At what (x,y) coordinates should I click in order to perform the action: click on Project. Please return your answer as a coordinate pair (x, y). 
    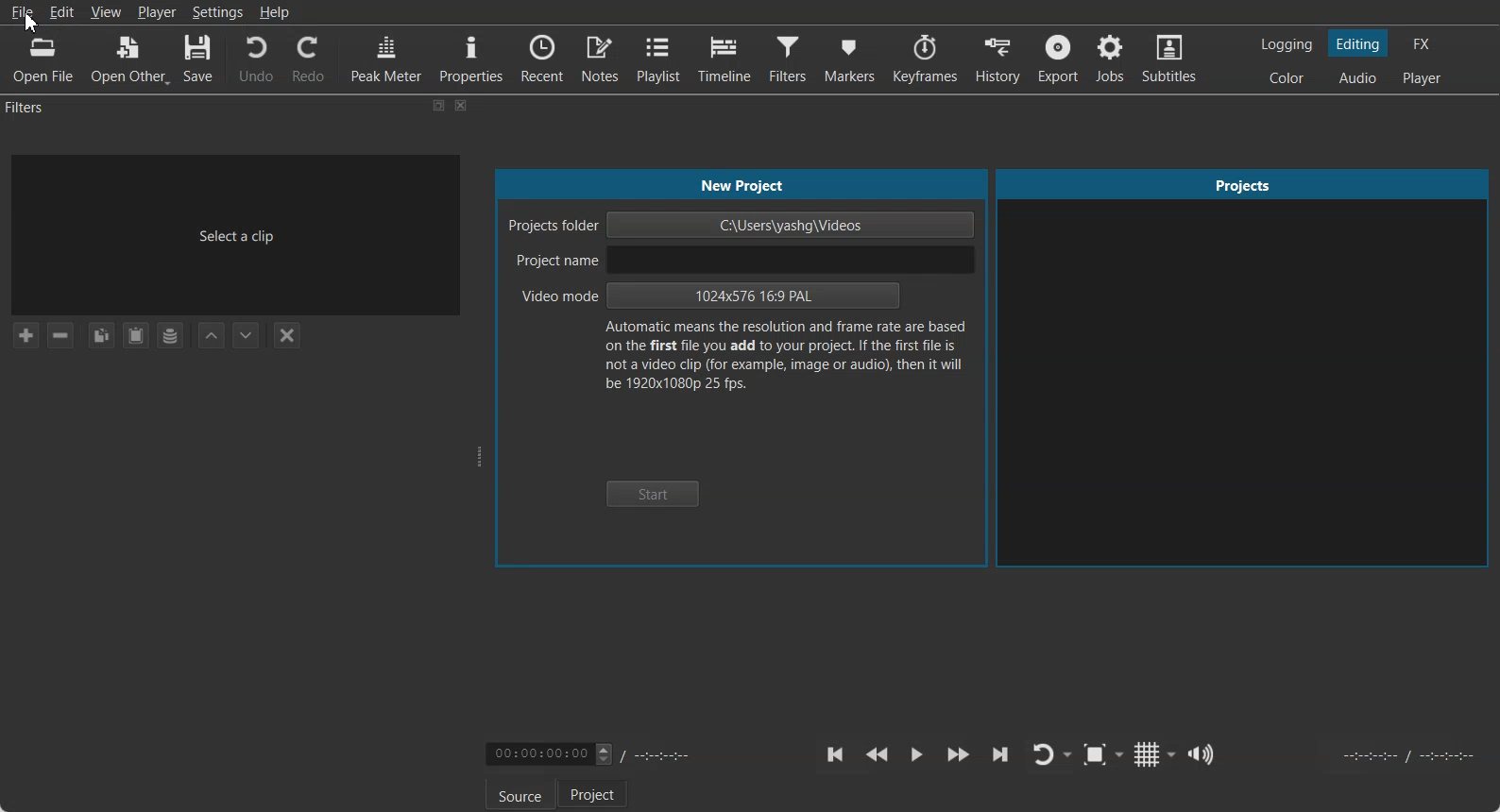
    Looking at the image, I should click on (592, 793).